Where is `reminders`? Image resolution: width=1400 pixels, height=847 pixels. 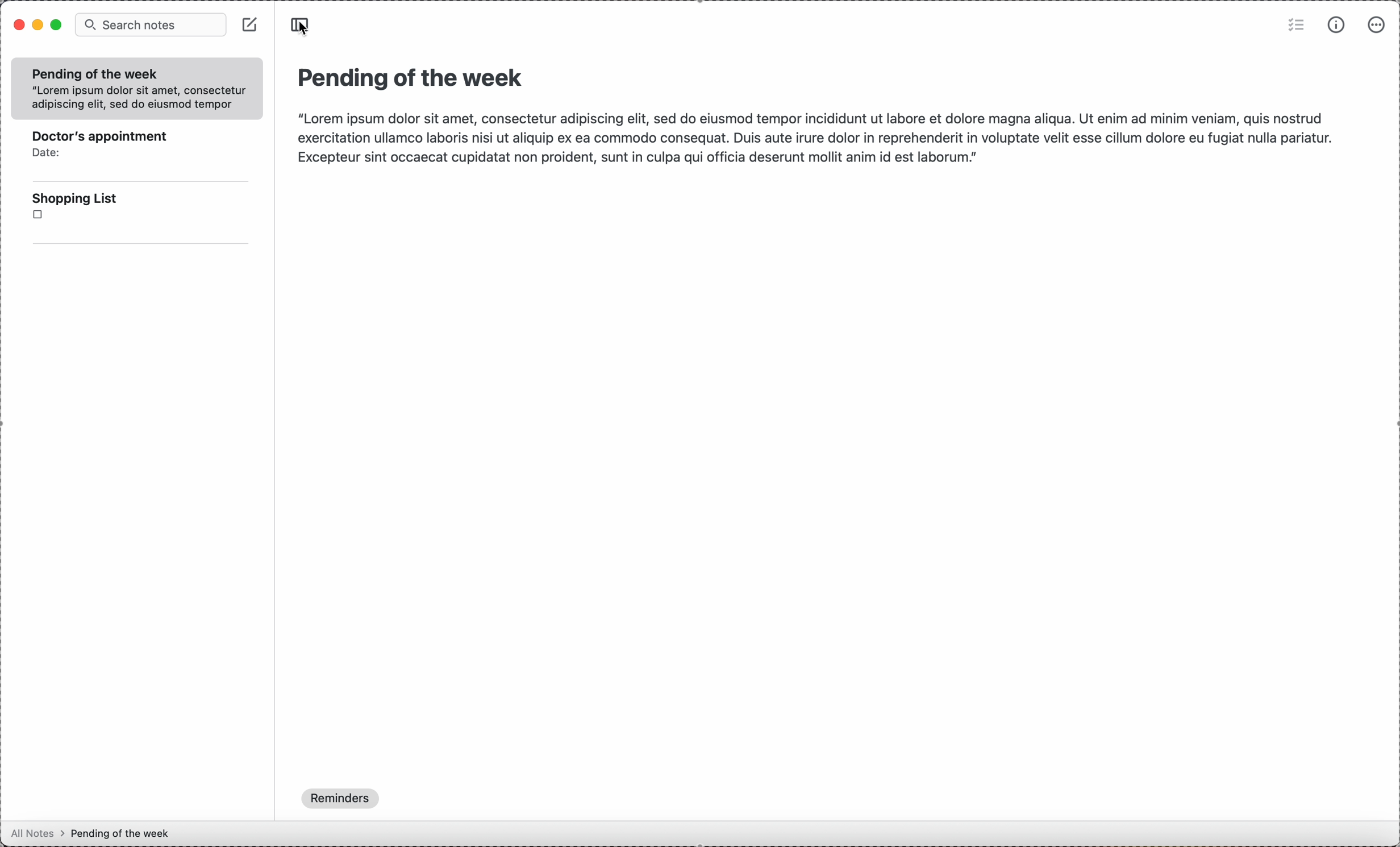 reminders is located at coordinates (340, 797).